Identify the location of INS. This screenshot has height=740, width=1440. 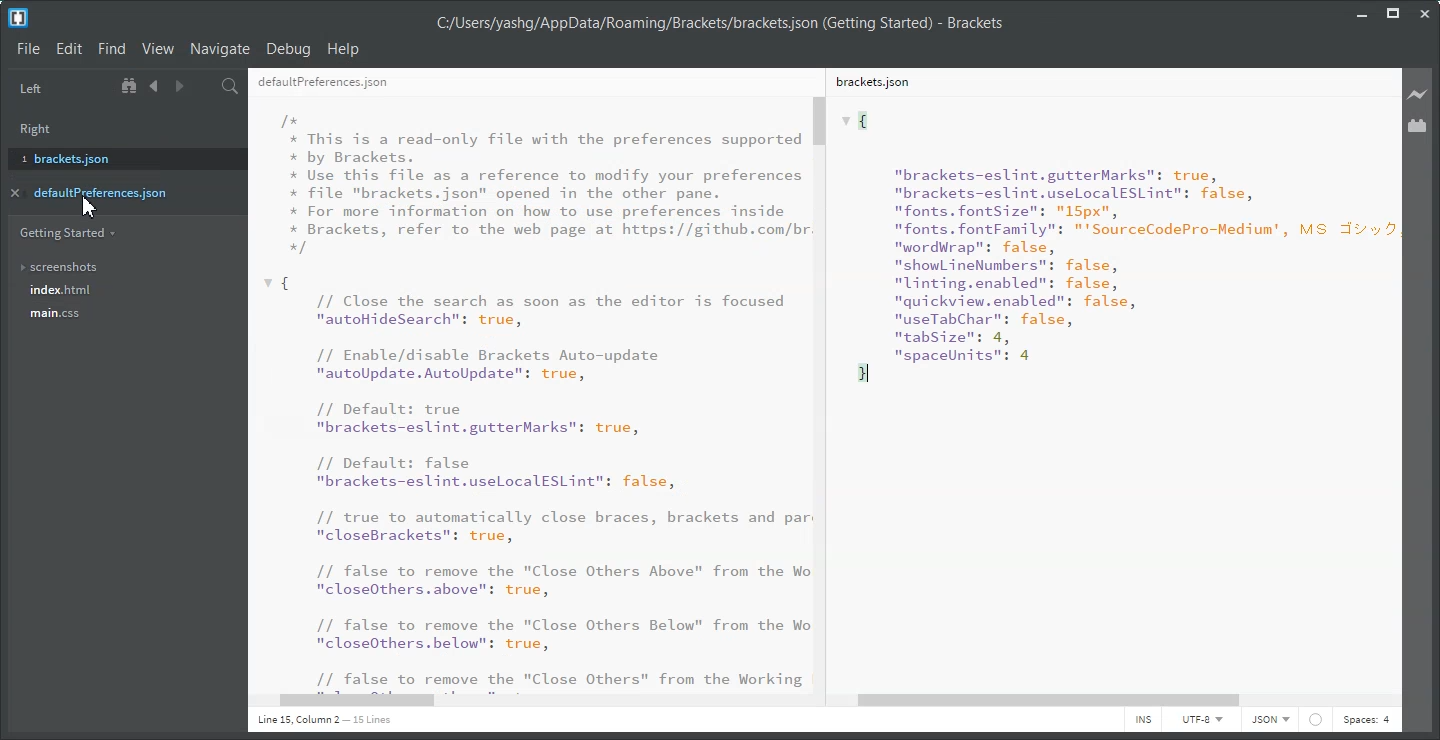
(1143, 721).